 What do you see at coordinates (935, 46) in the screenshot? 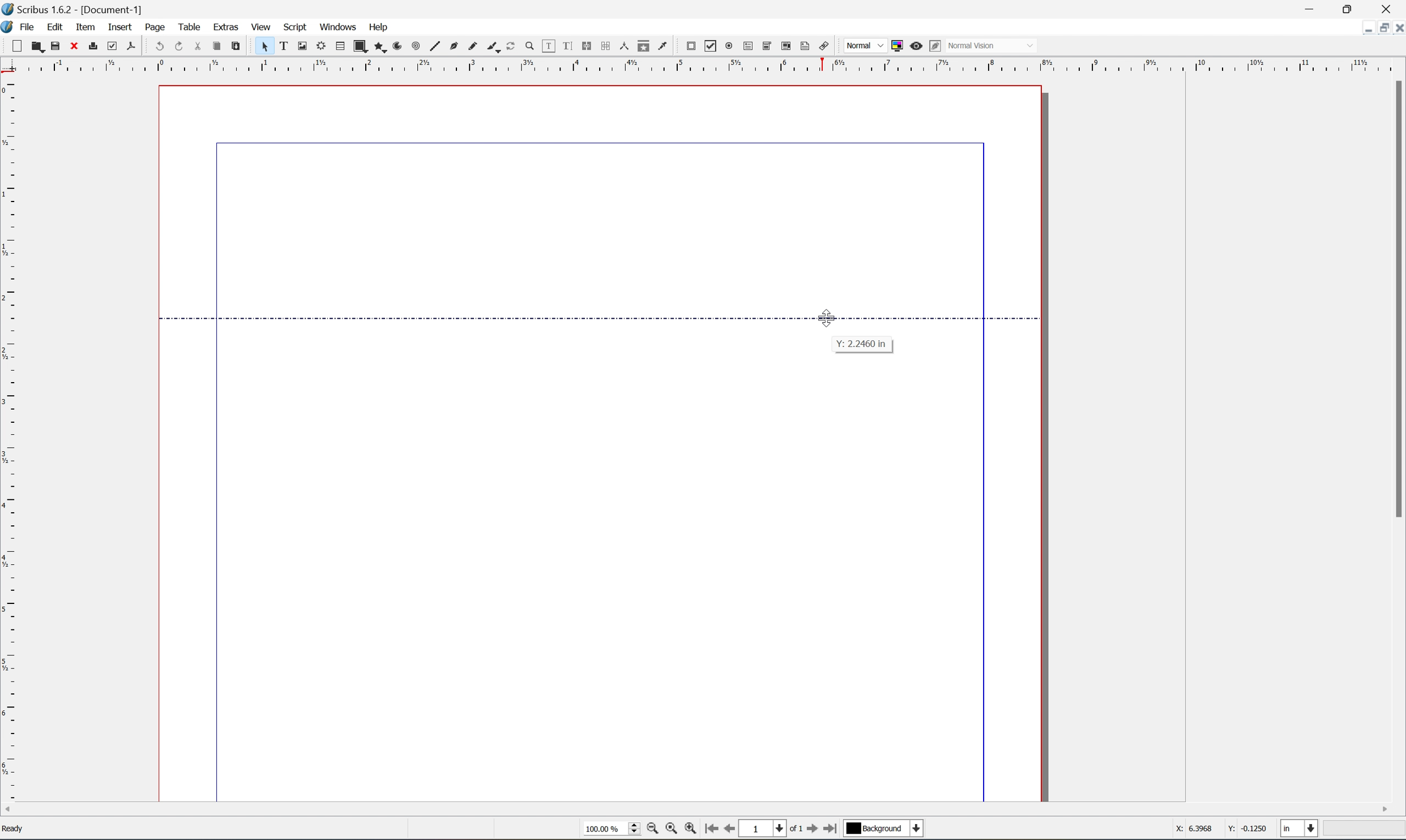
I see `edit in preview mode` at bounding box center [935, 46].